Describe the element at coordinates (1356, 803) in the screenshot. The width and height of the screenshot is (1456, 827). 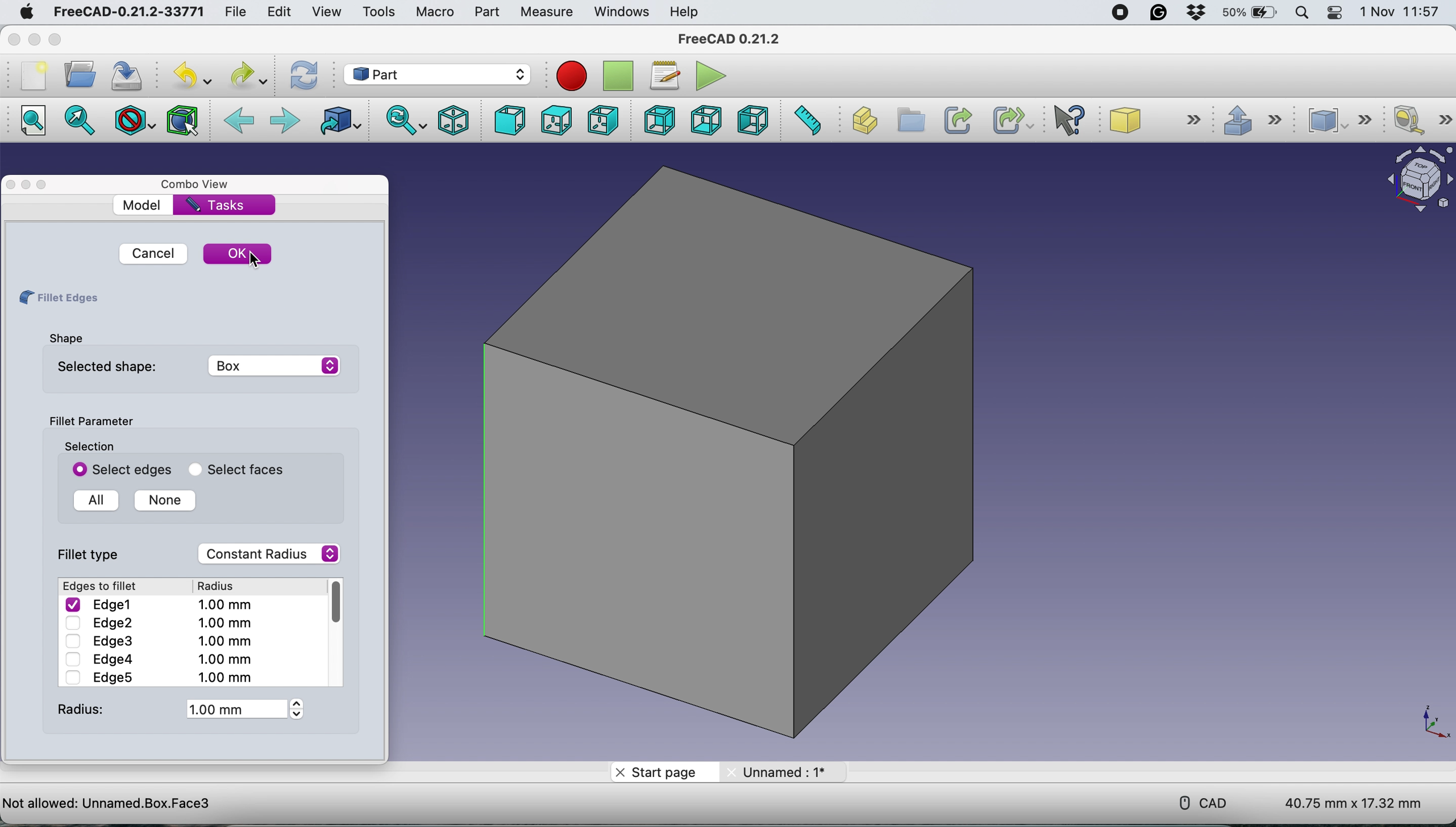
I see `dimensions 40.75 mm x 17.32mm` at that location.